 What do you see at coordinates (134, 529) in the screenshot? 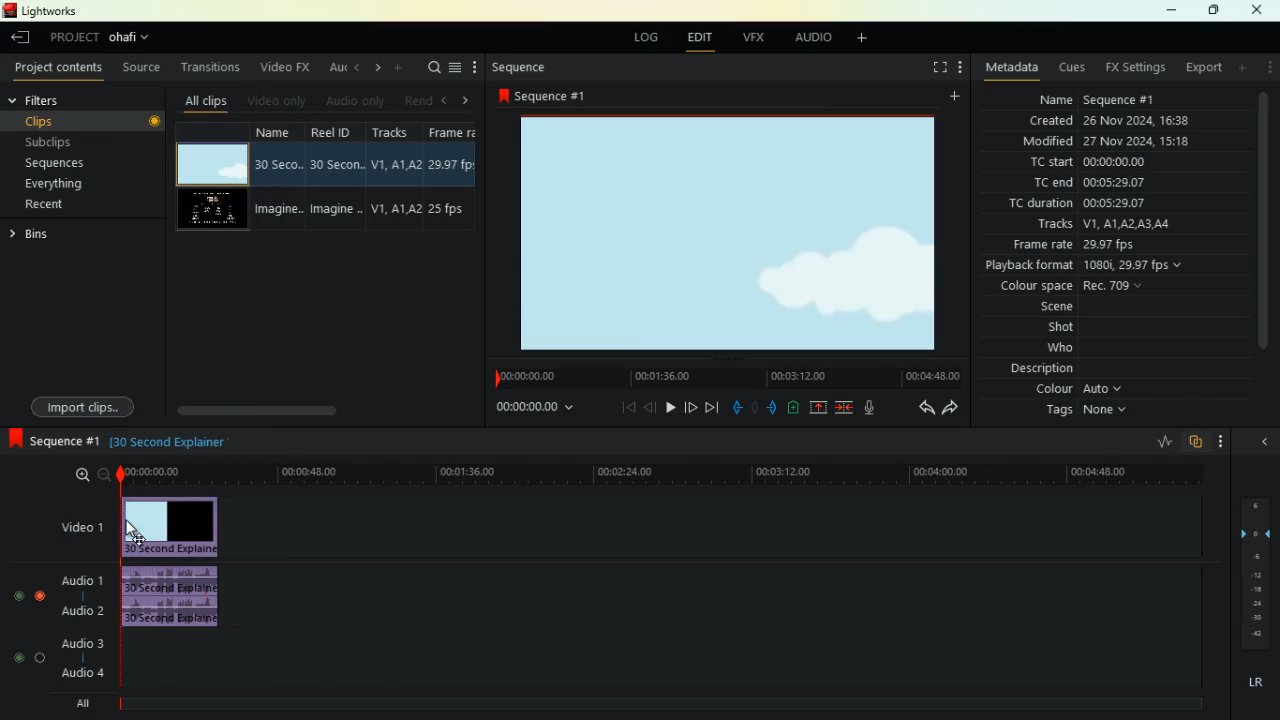
I see `Mouse Cursor` at bounding box center [134, 529].